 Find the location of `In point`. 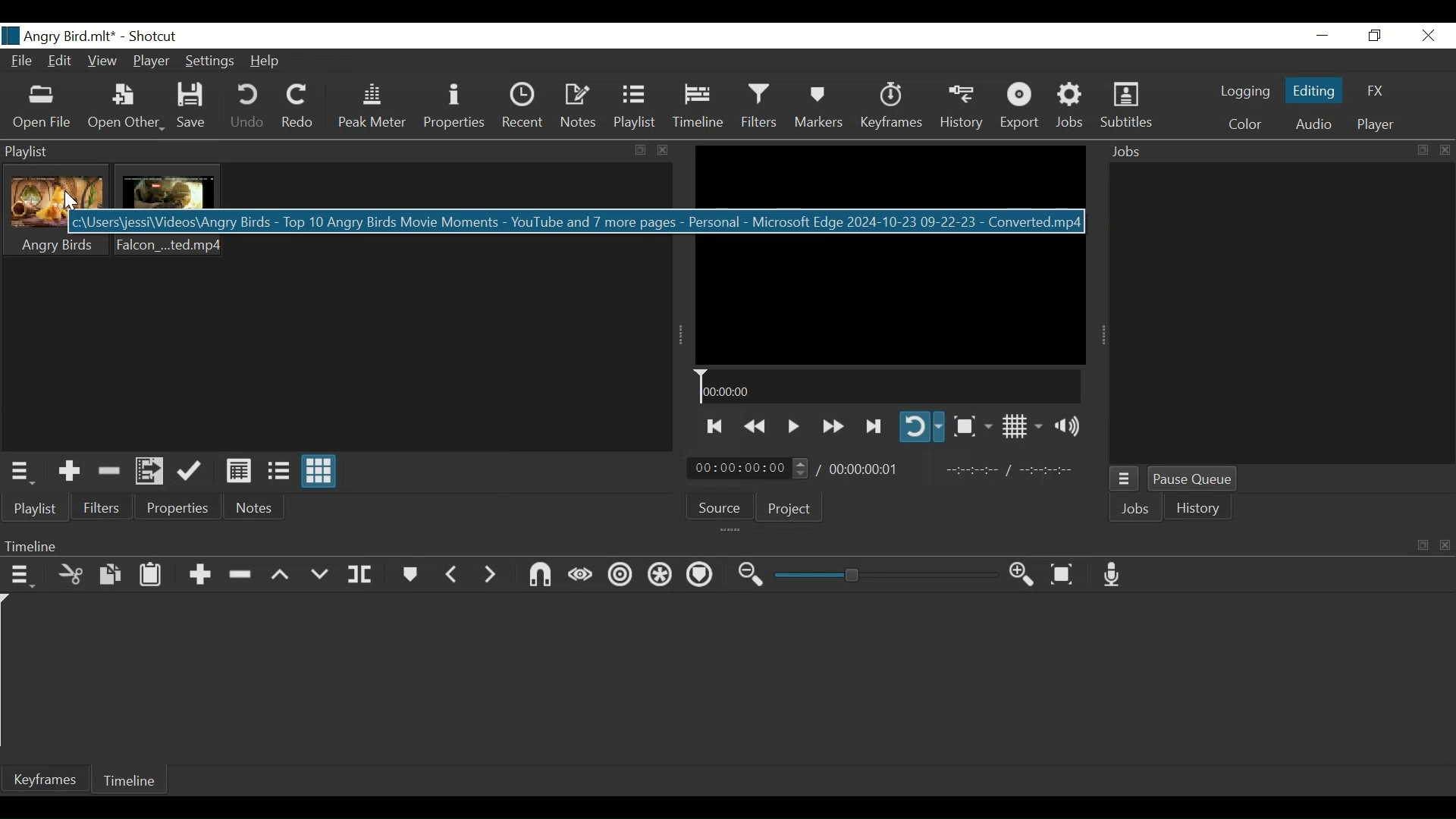

In point is located at coordinates (1017, 469).